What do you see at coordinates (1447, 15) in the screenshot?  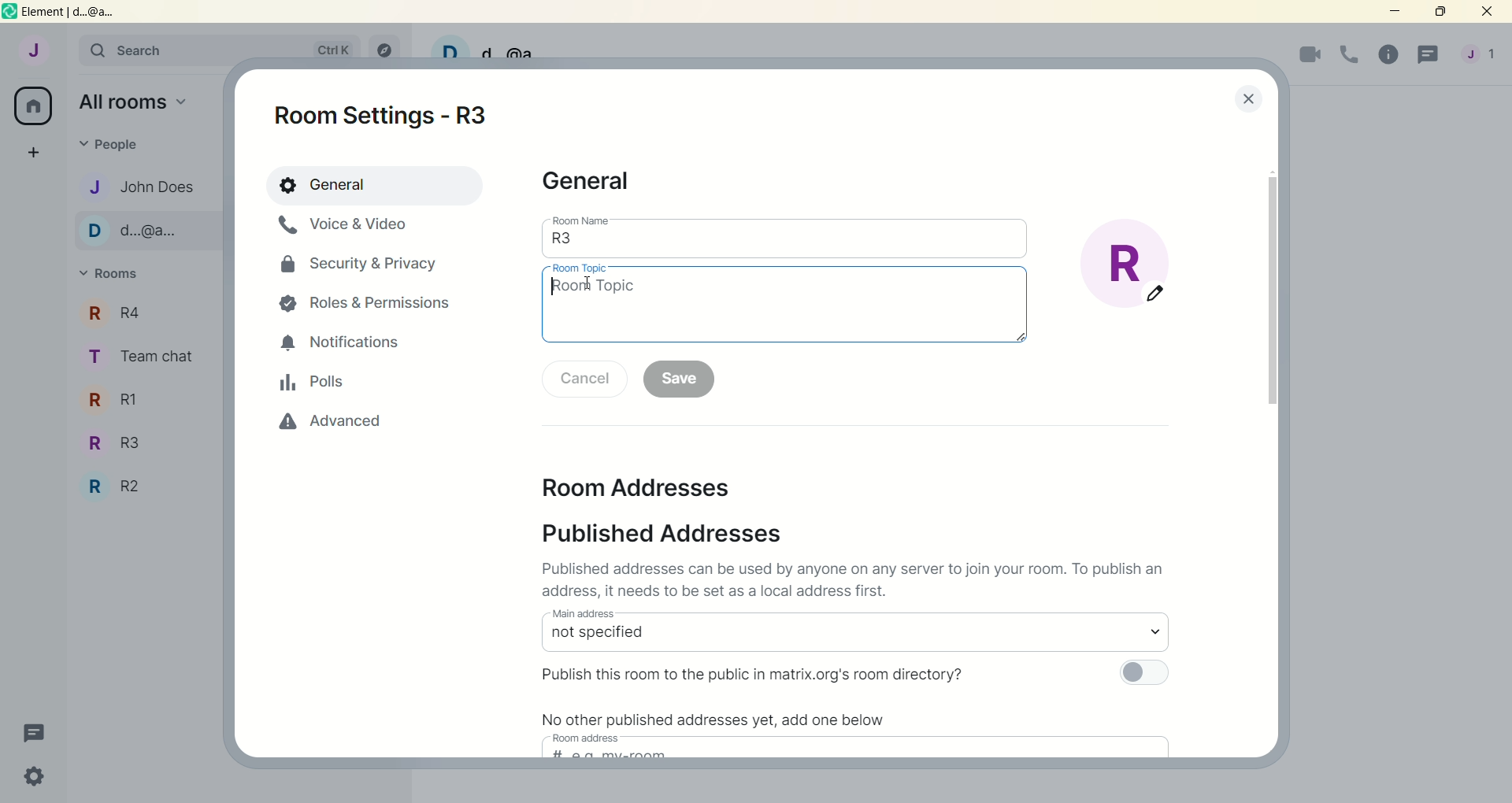 I see `maximize` at bounding box center [1447, 15].